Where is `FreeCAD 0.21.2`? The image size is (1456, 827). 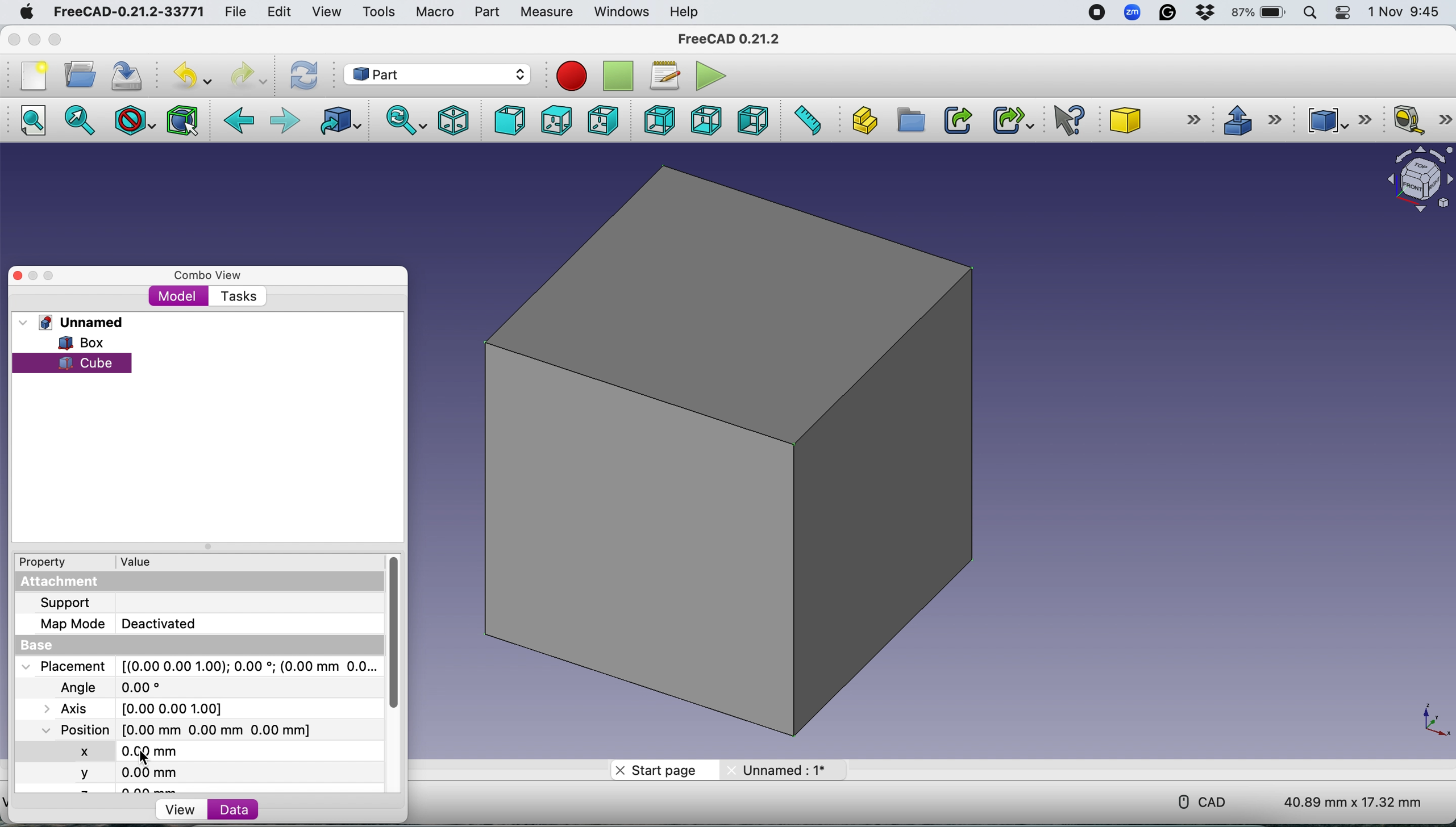 FreeCAD 0.21.2 is located at coordinates (731, 40).